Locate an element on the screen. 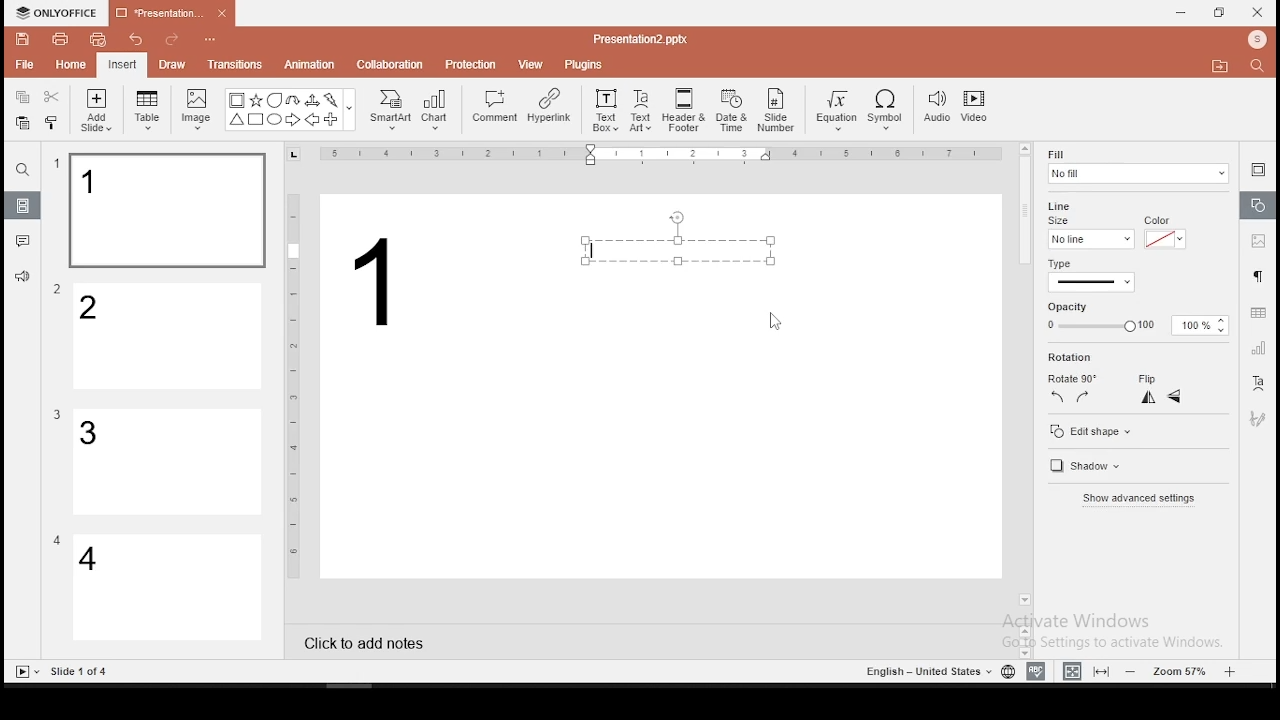 Image resolution: width=1280 pixels, height=720 pixels. insert is located at coordinates (121, 64).